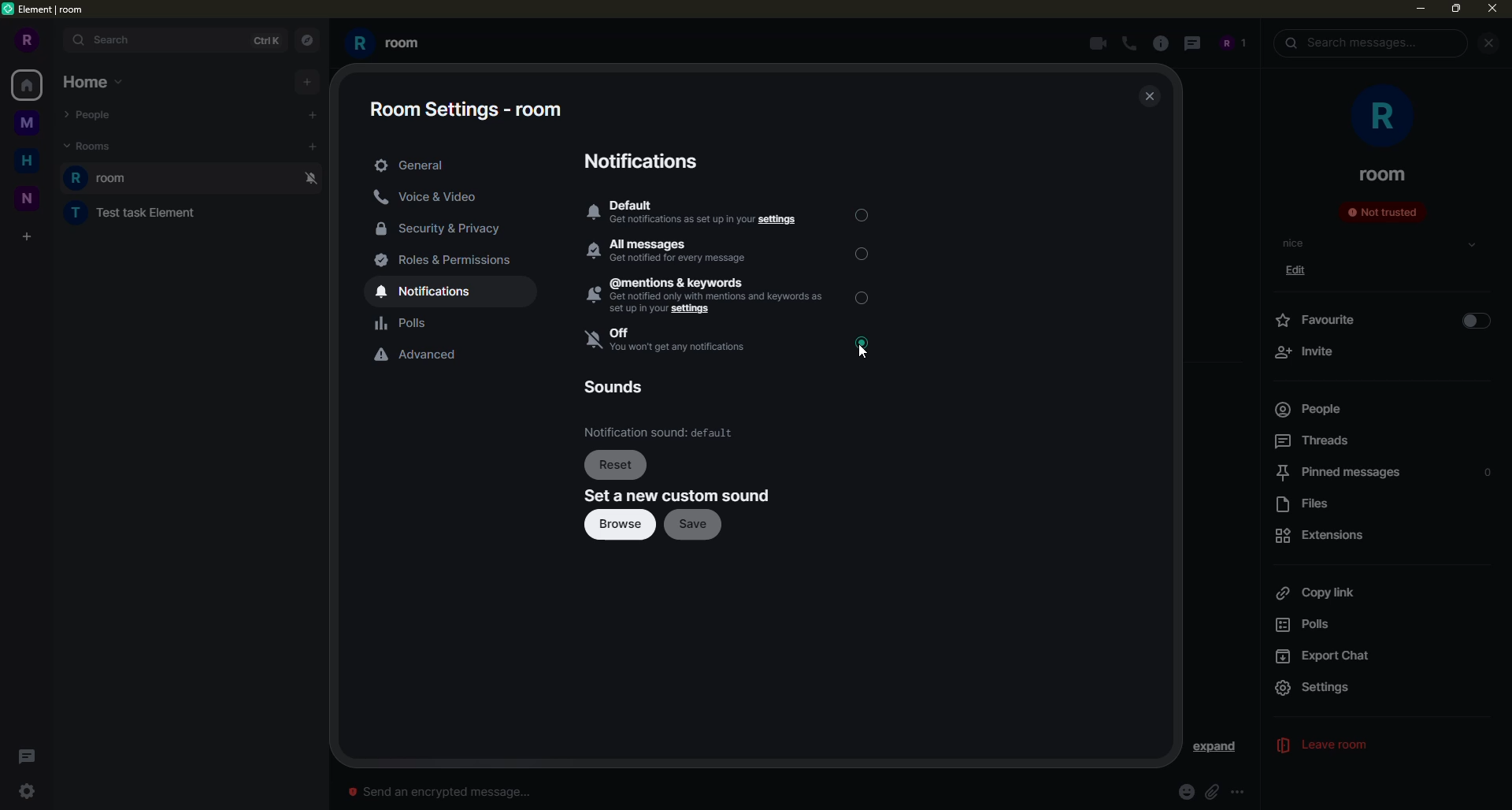 Image resolution: width=1512 pixels, height=810 pixels. What do you see at coordinates (309, 115) in the screenshot?
I see `start a chat` at bounding box center [309, 115].